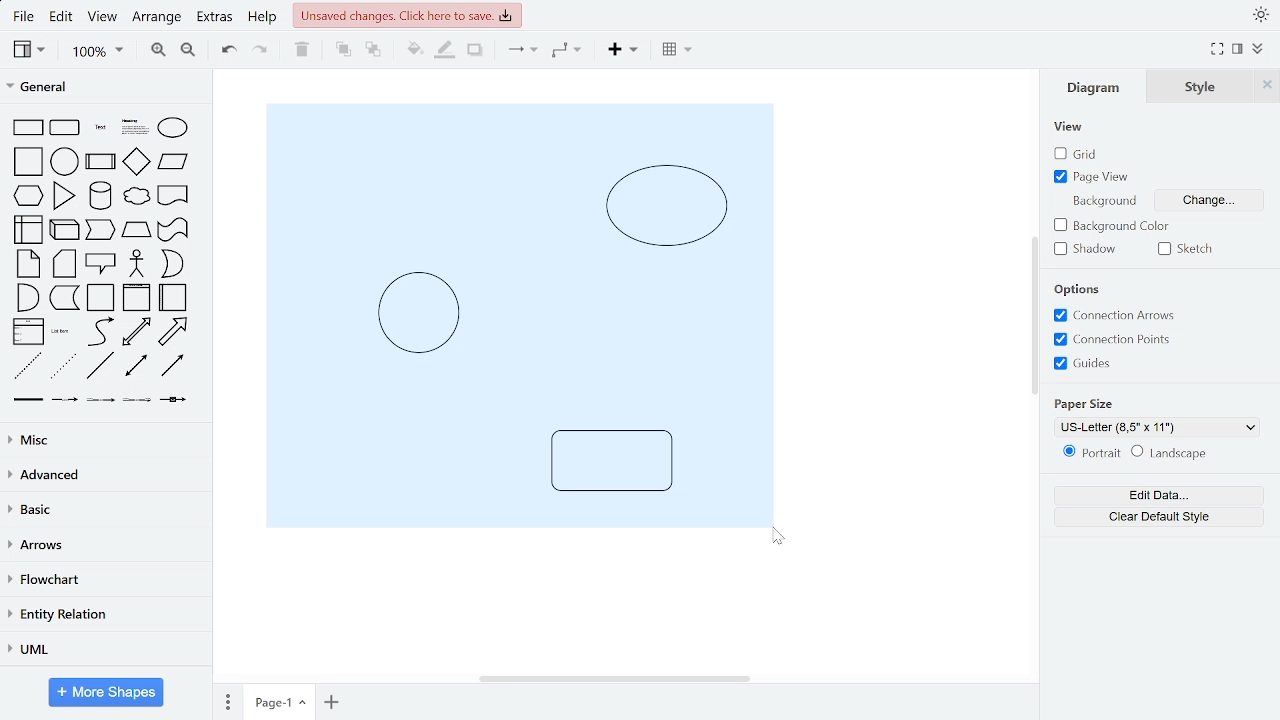 Image resolution: width=1280 pixels, height=720 pixels. I want to click on Current Diagrams, so click(518, 315).